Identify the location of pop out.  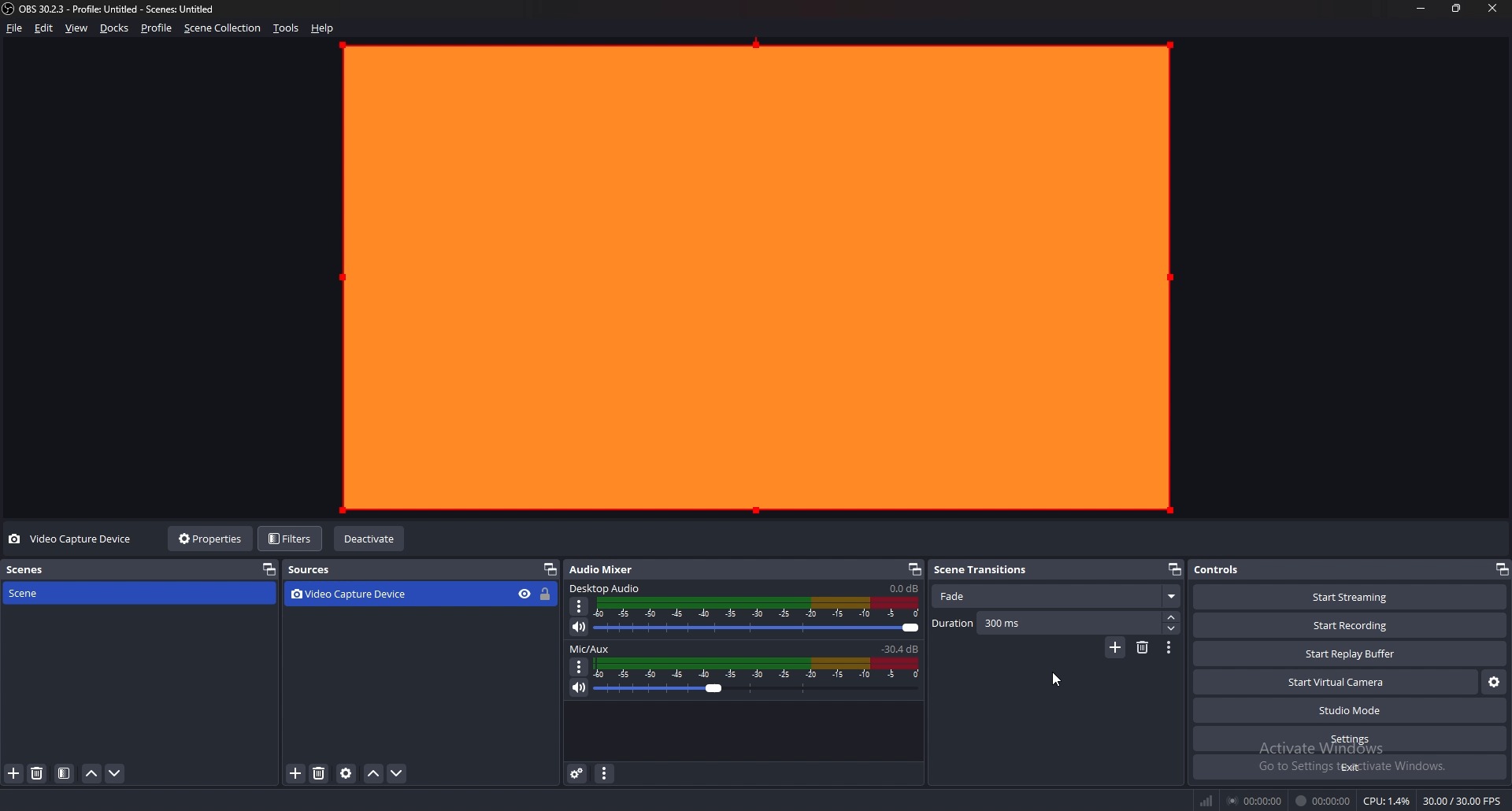
(1501, 569).